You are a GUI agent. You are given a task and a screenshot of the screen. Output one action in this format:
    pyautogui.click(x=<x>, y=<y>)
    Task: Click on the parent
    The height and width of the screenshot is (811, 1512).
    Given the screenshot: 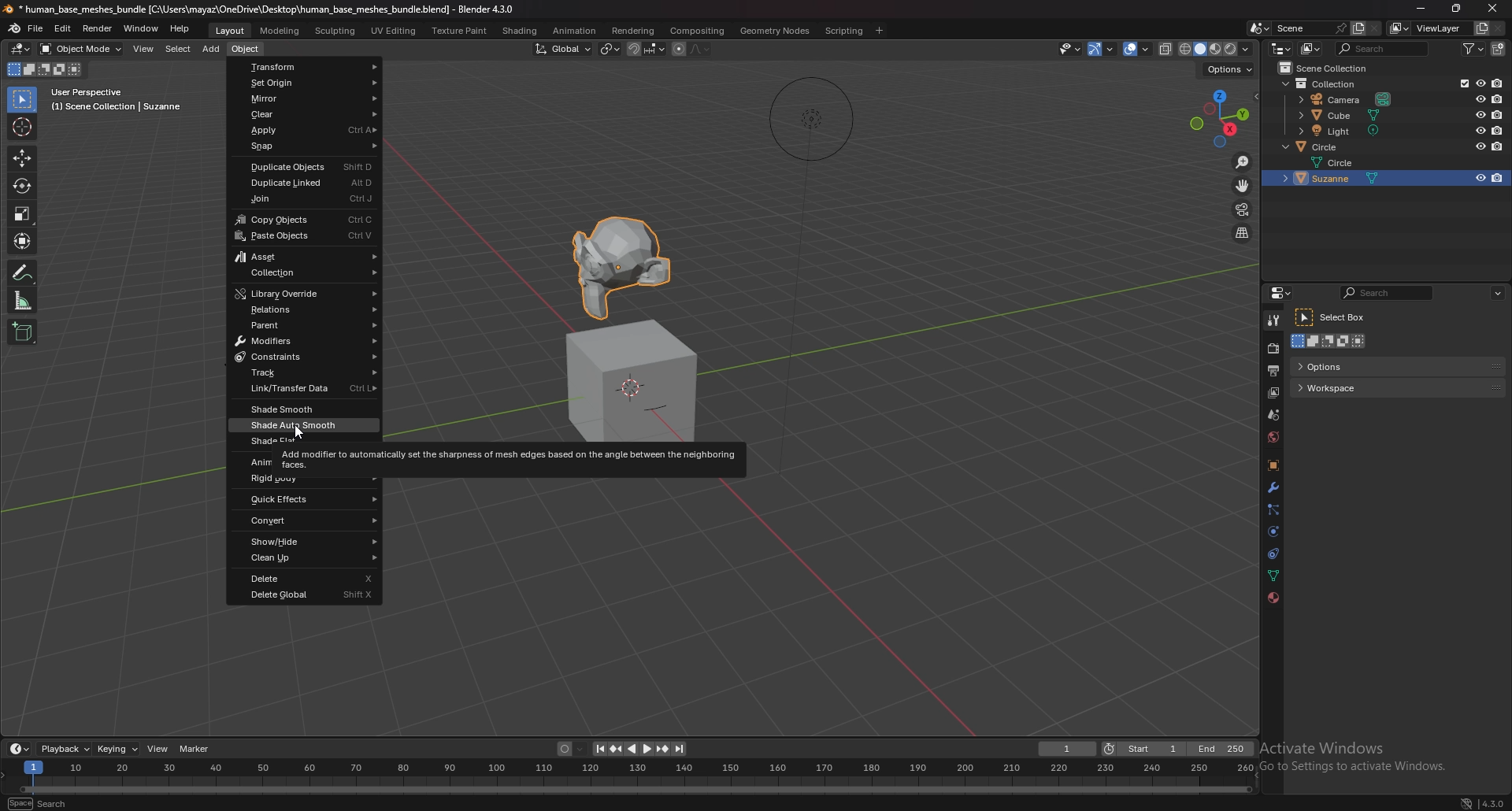 What is the action you would take?
    pyautogui.click(x=303, y=324)
    